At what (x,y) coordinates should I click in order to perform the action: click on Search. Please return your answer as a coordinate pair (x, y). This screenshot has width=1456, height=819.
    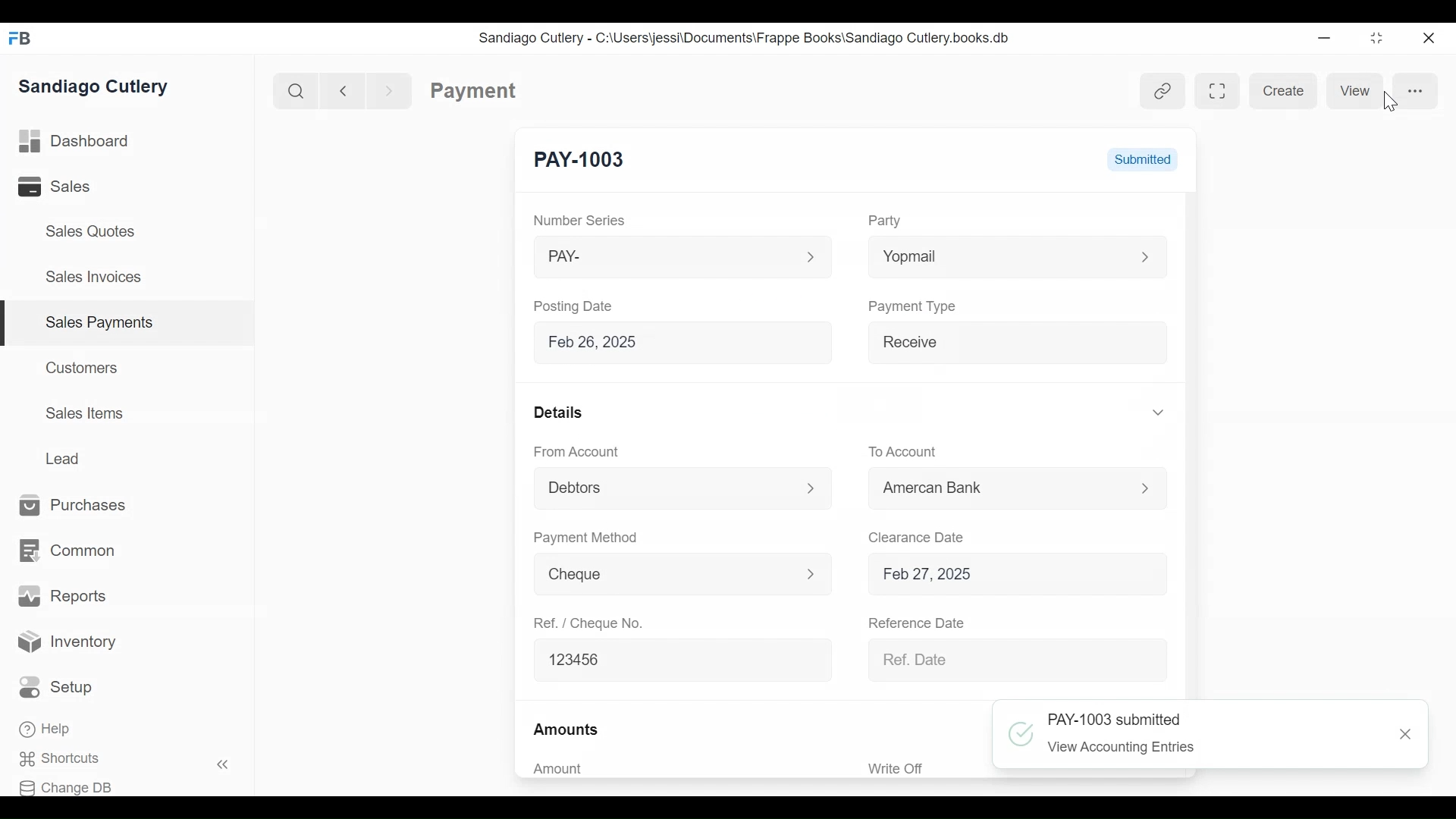
    Looking at the image, I should click on (293, 90).